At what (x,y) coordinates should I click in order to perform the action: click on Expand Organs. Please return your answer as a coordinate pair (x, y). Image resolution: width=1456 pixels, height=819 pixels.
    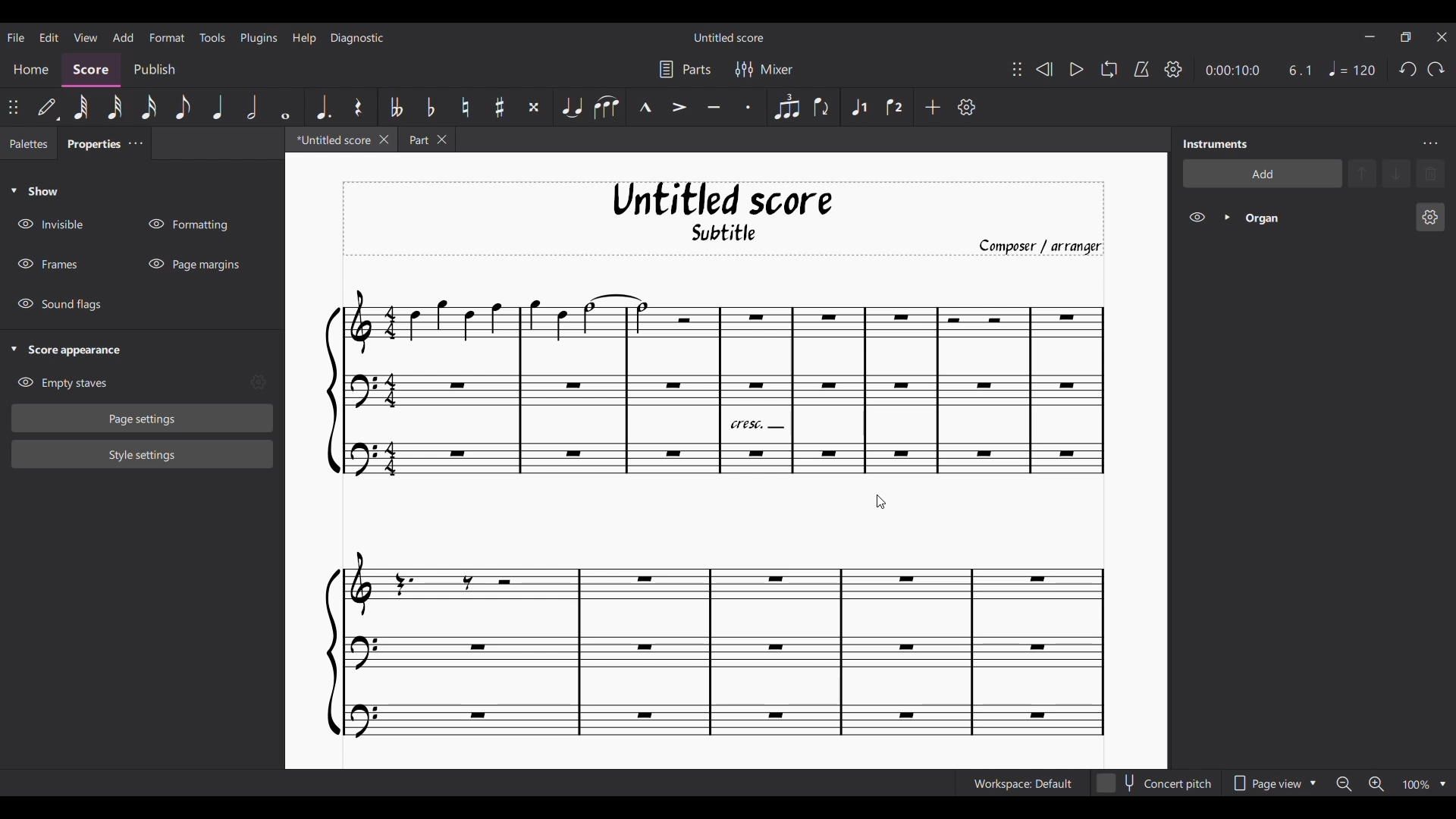
    Looking at the image, I should click on (1227, 217).